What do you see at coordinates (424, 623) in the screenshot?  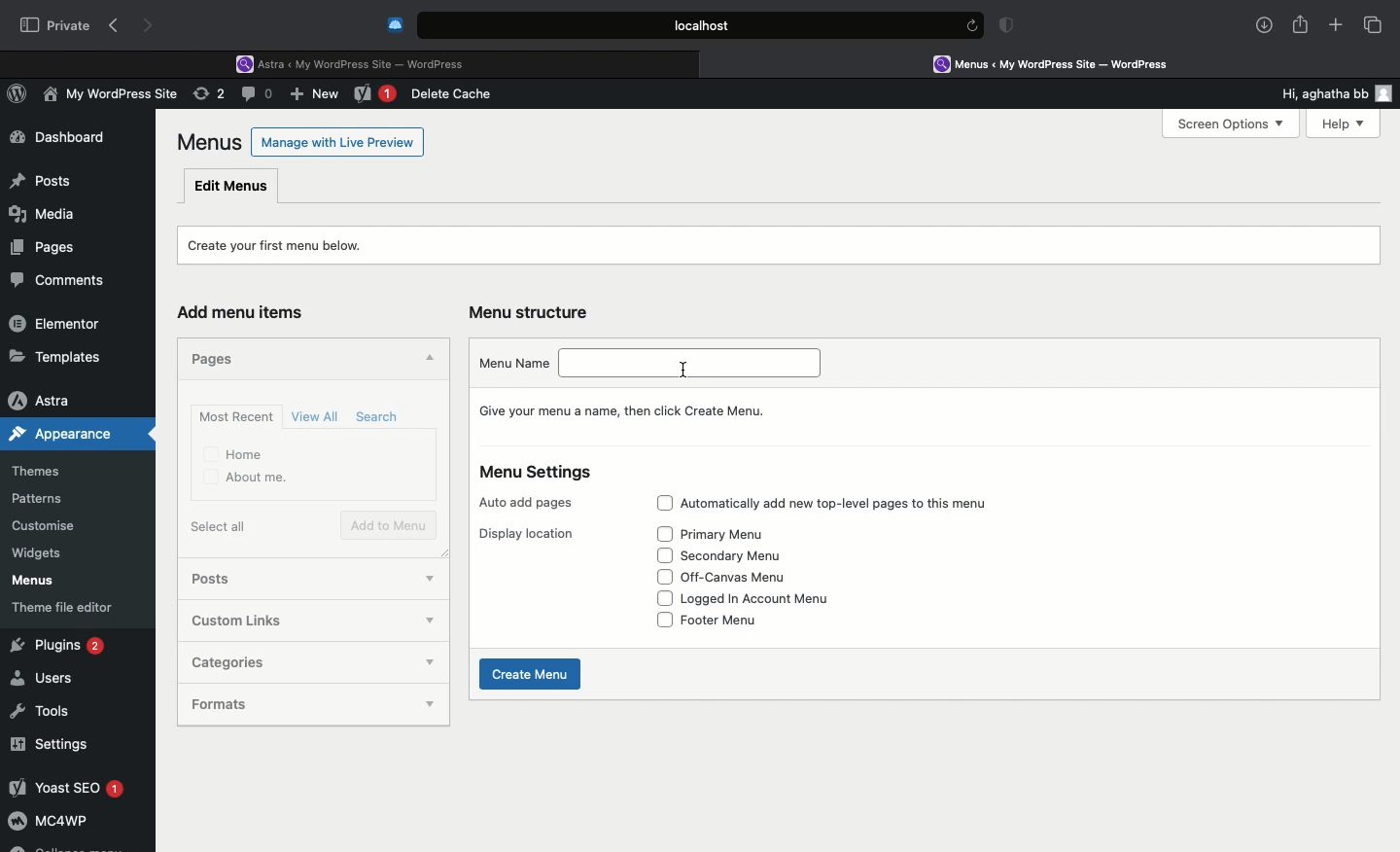 I see `show` at bounding box center [424, 623].